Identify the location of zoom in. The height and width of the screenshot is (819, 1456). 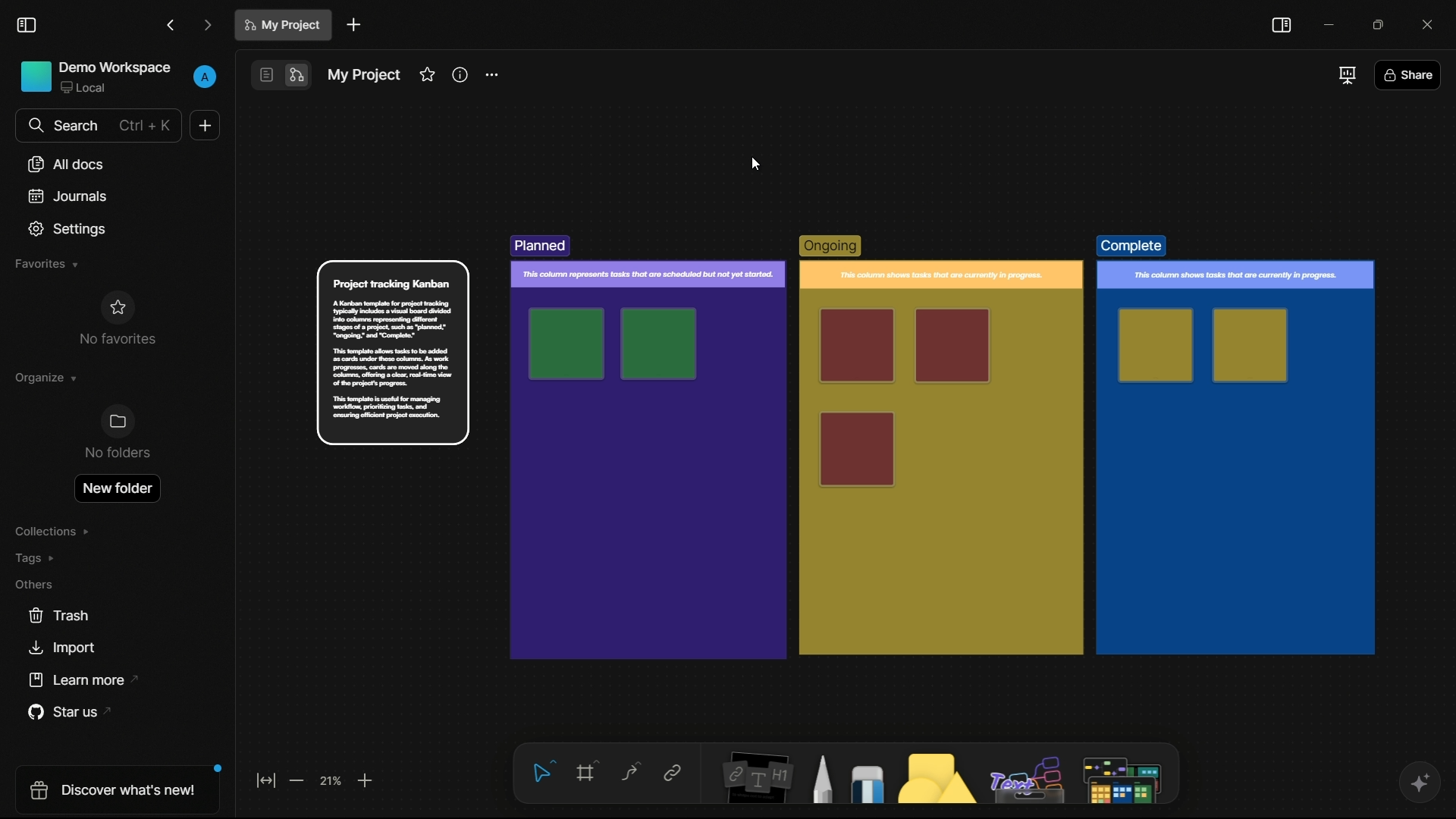
(366, 780).